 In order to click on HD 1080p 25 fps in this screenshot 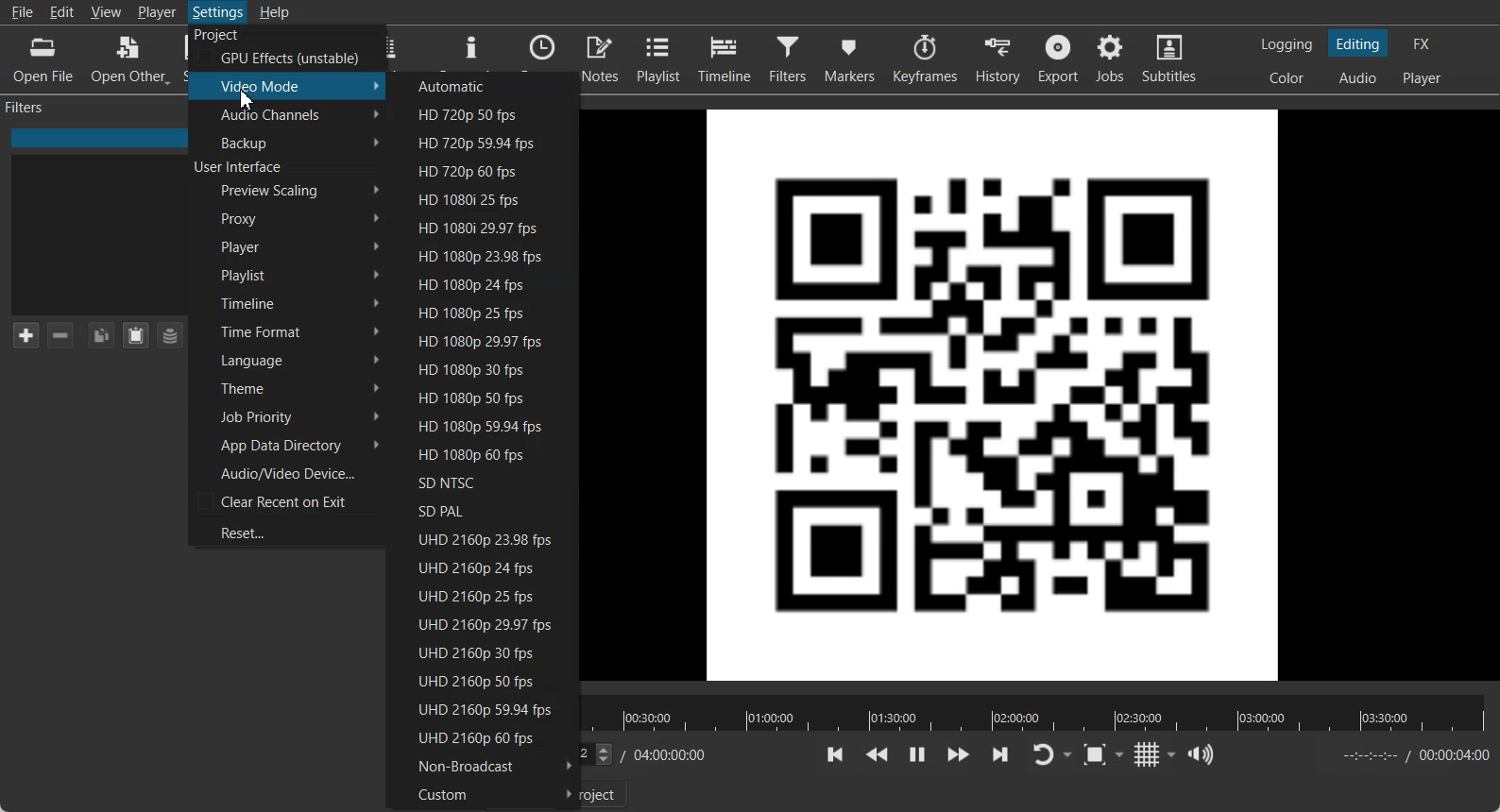, I will do `click(477, 313)`.